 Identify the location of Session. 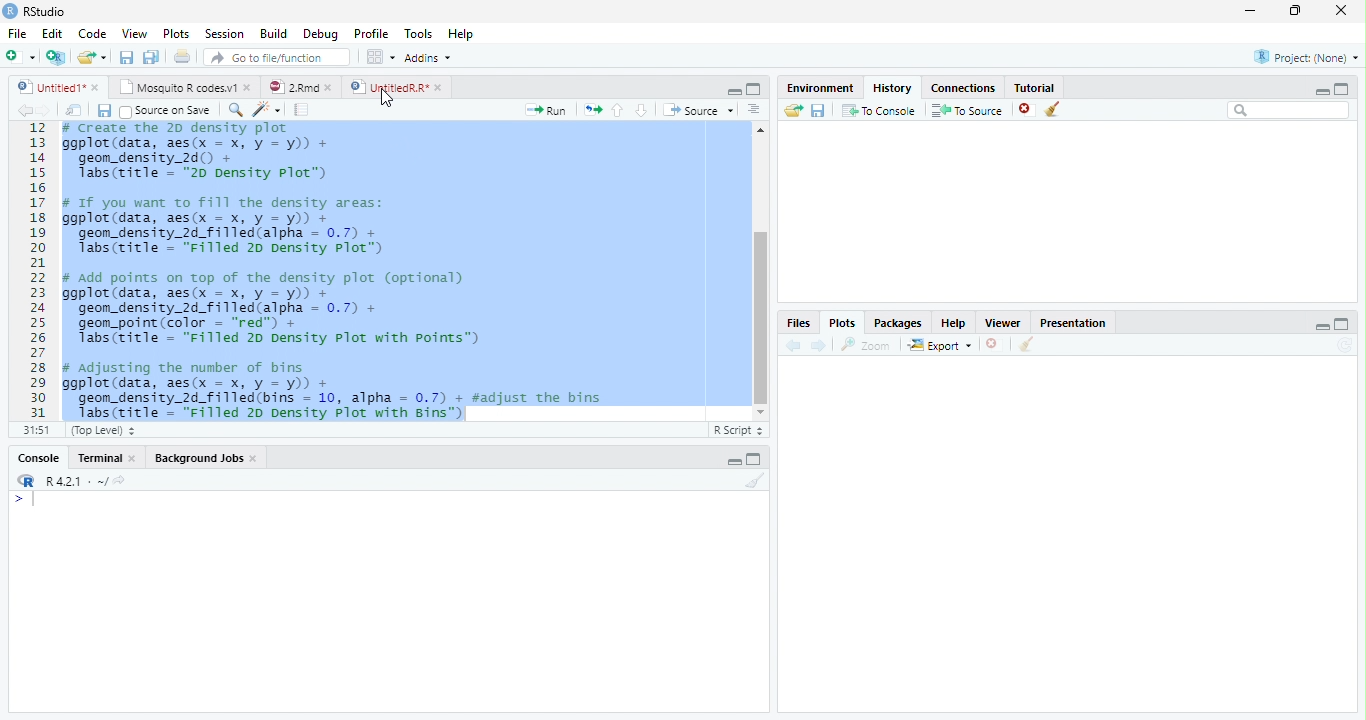
(225, 34).